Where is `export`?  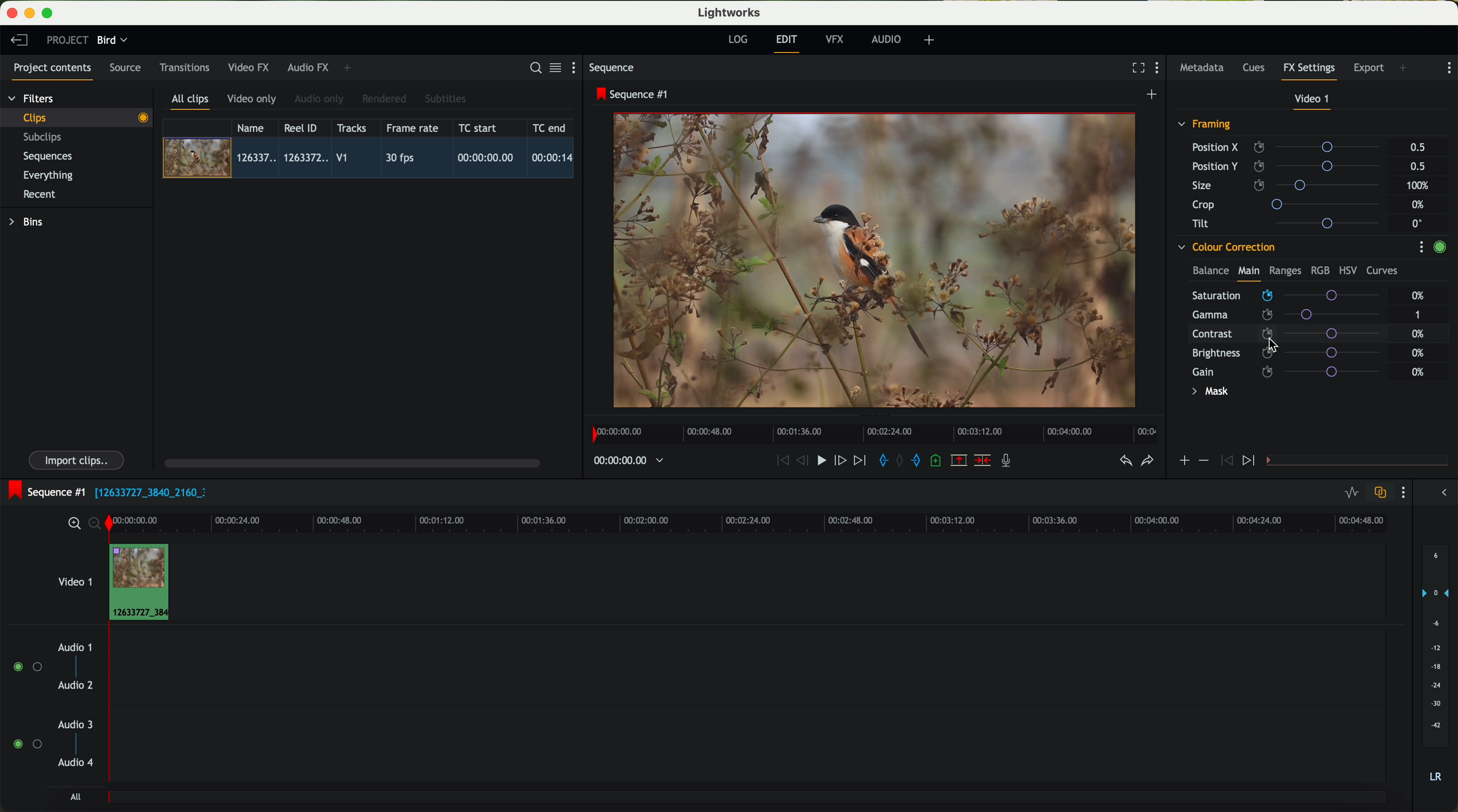
export is located at coordinates (1369, 69).